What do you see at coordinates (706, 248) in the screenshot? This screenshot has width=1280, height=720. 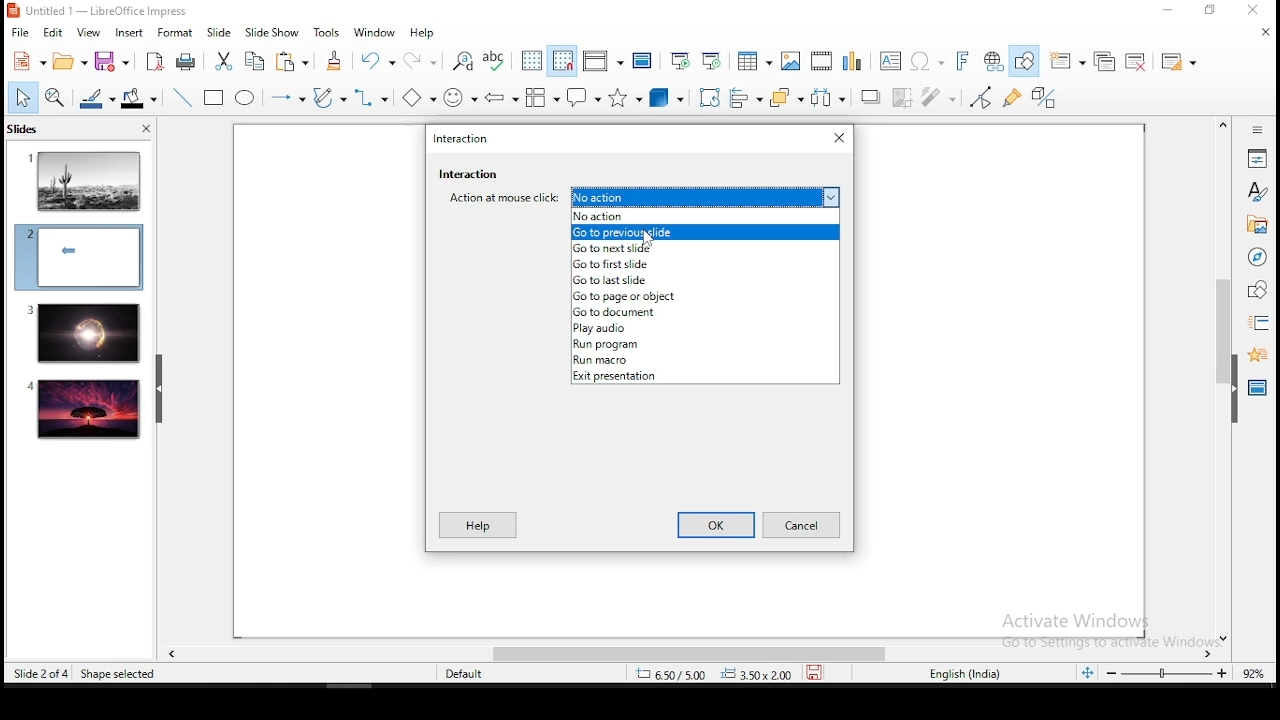 I see `go to nextslide` at bounding box center [706, 248].